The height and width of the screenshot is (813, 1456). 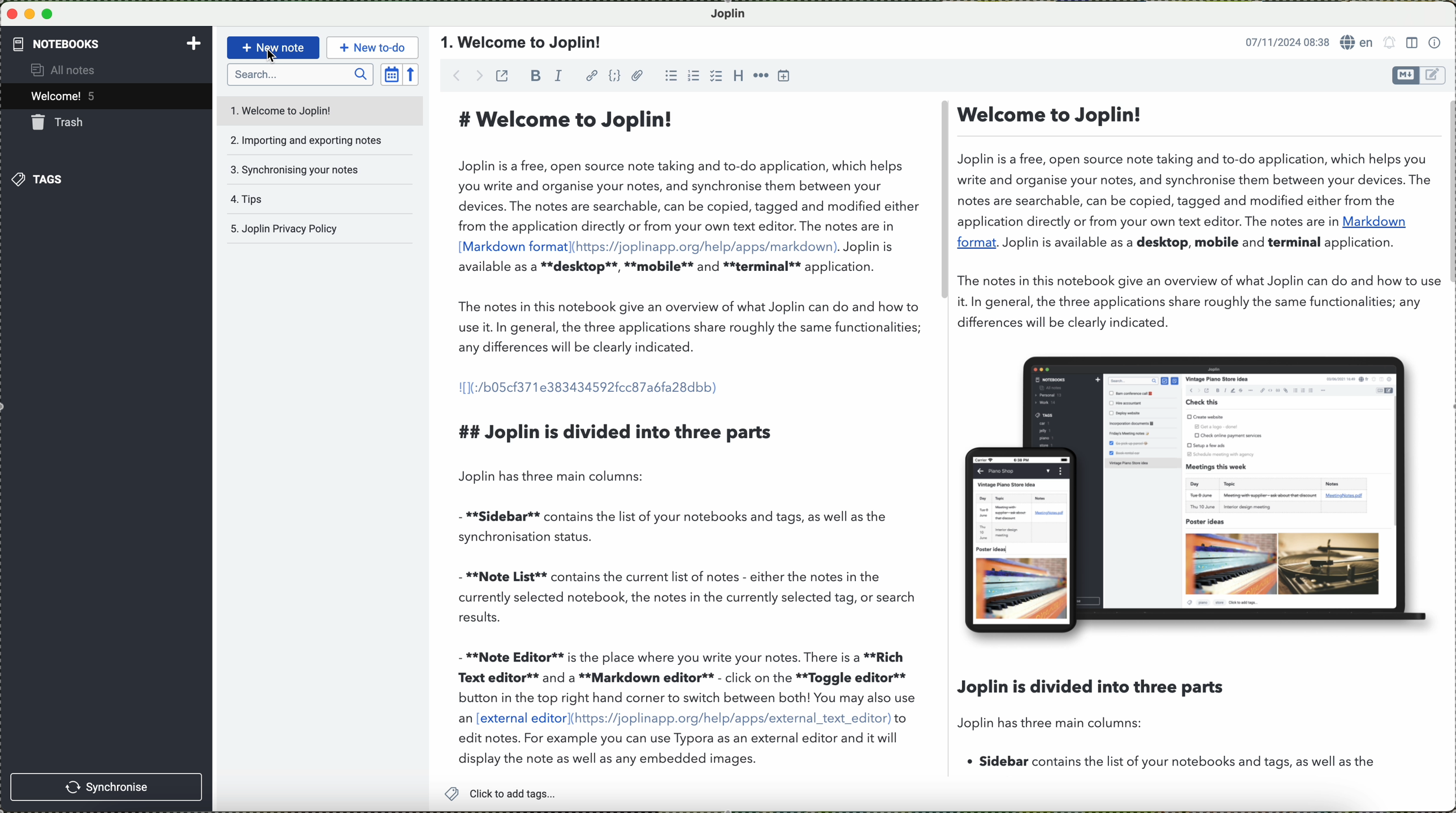 What do you see at coordinates (459, 77) in the screenshot?
I see `navigate` at bounding box center [459, 77].